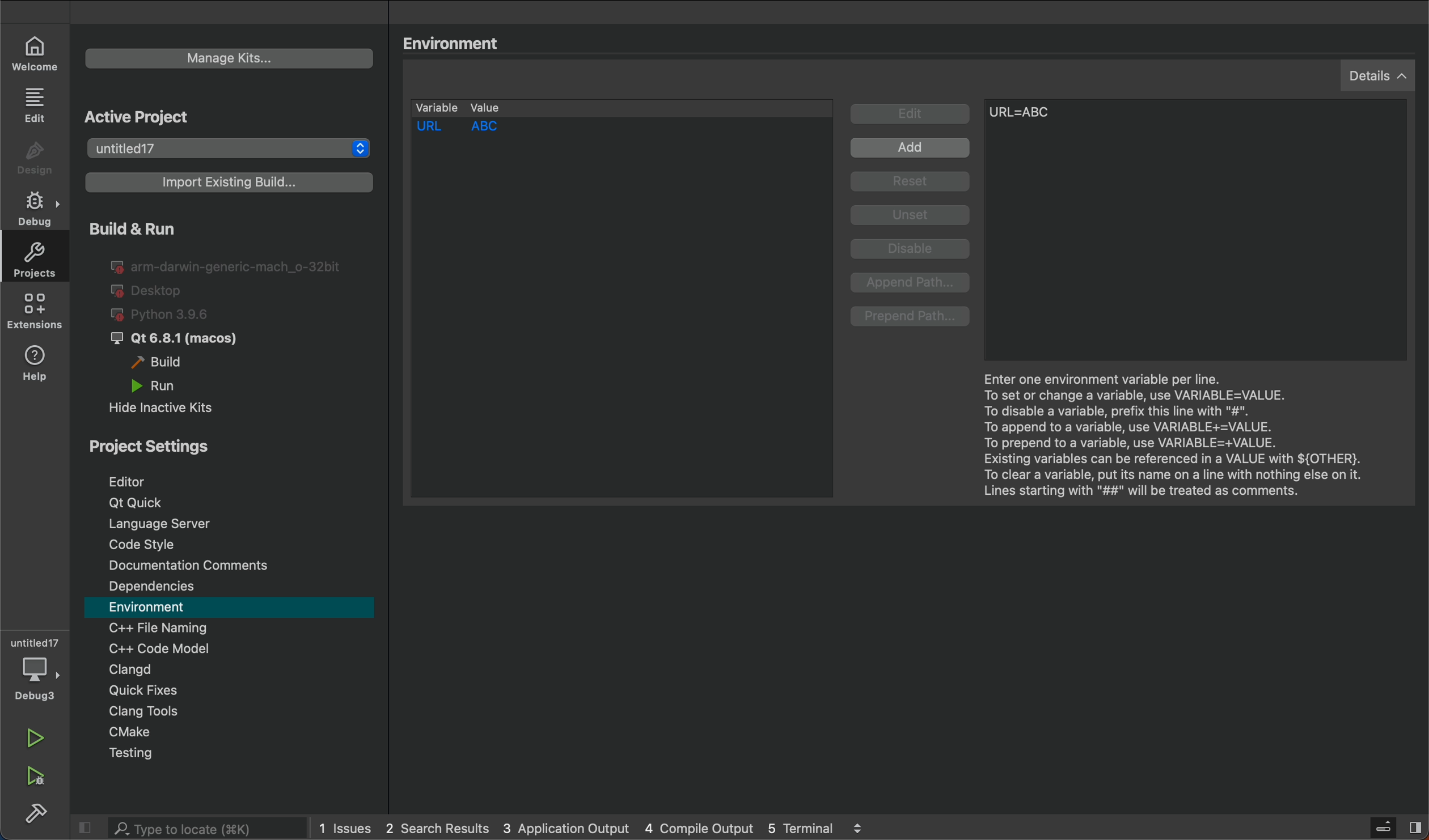 The height and width of the screenshot is (840, 1429). I want to click on Project Settings, so click(223, 443).